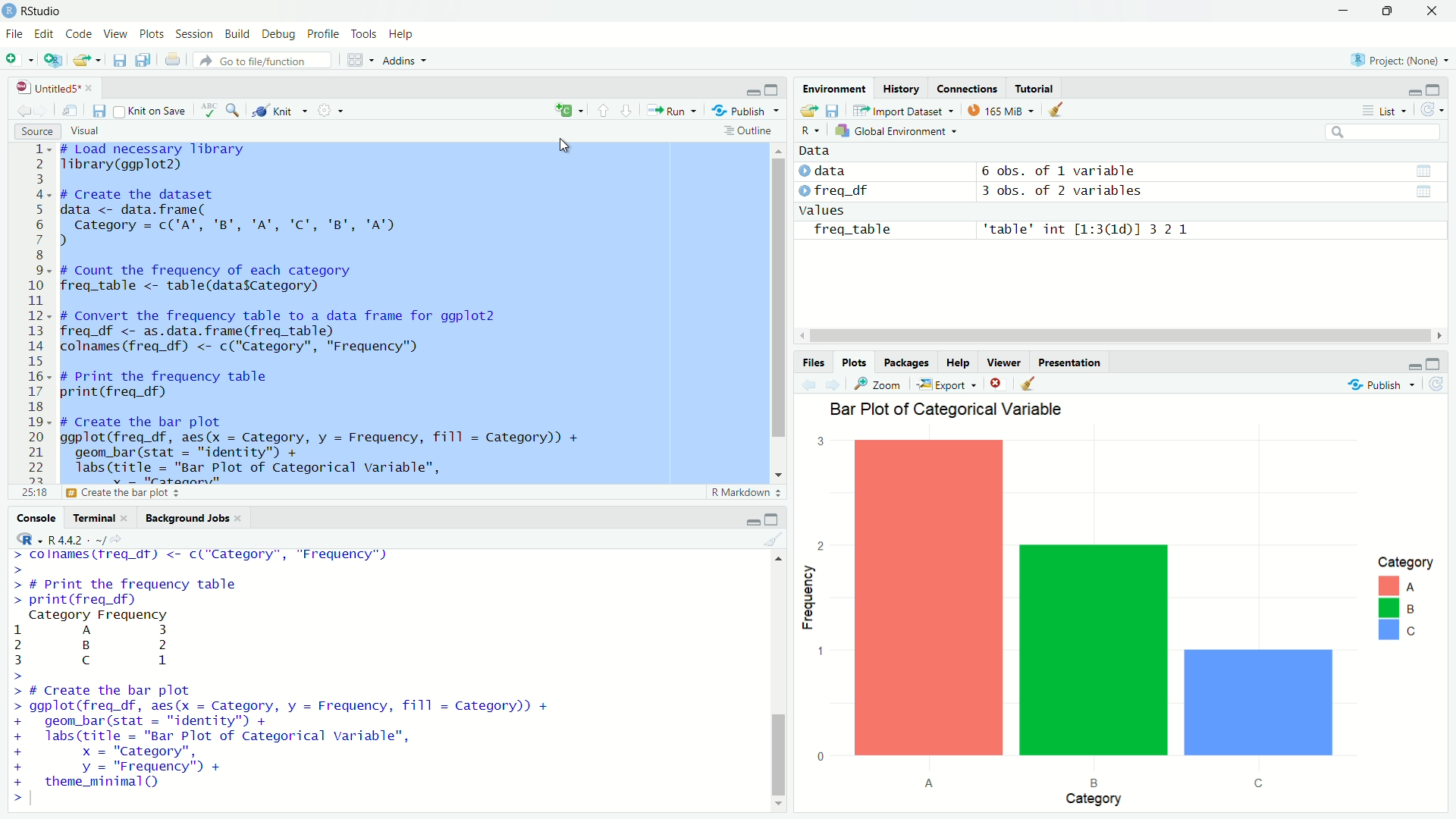 This screenshot has width=1456, height=819. I want to click on R 4.4.2 . ~/, so click(79, 540).